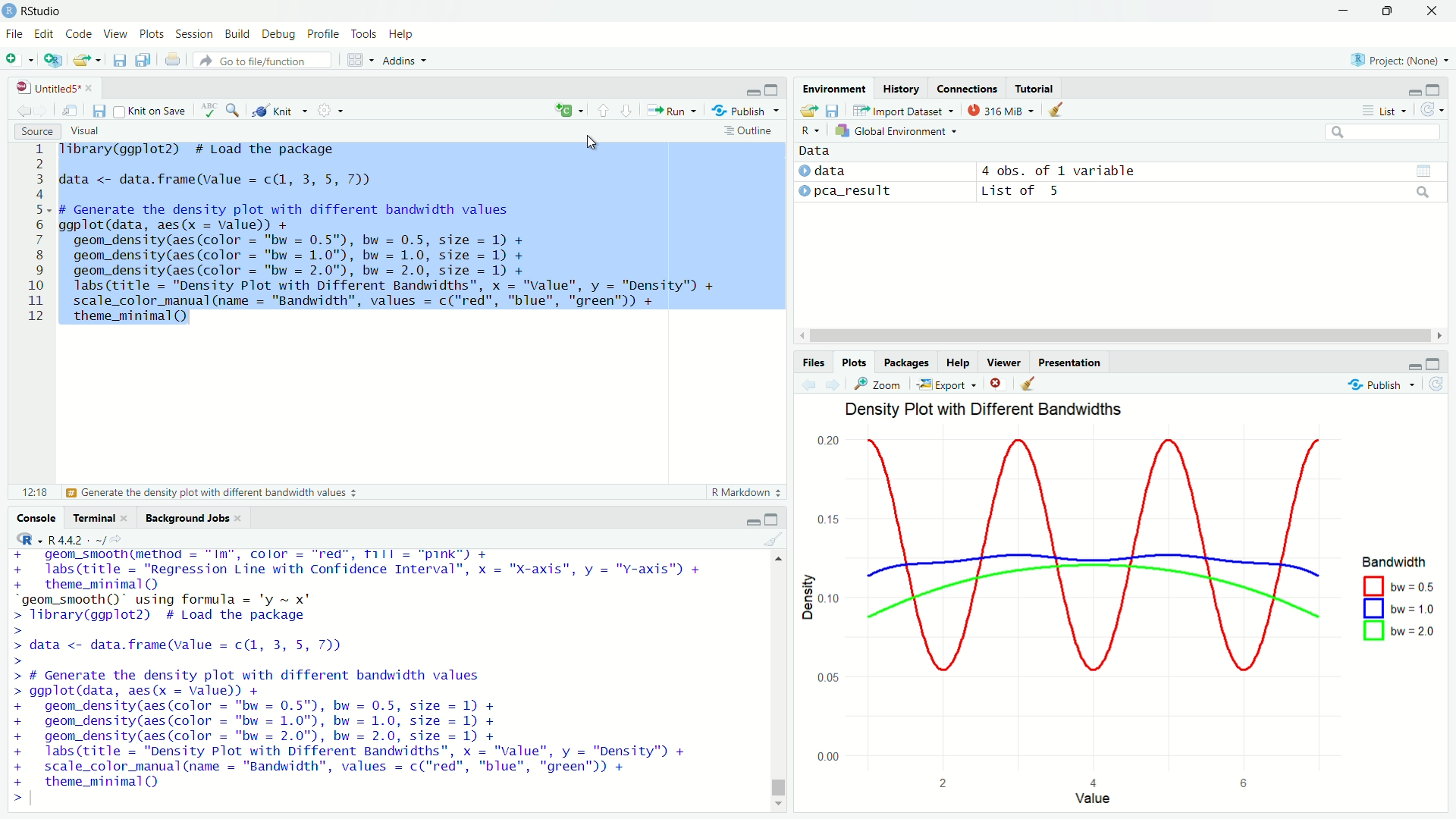 The image size is (1456, 819). What do you see at coordinates (35, 517) in the screenshot?
I see `Console` at bounding box center [35, 517].